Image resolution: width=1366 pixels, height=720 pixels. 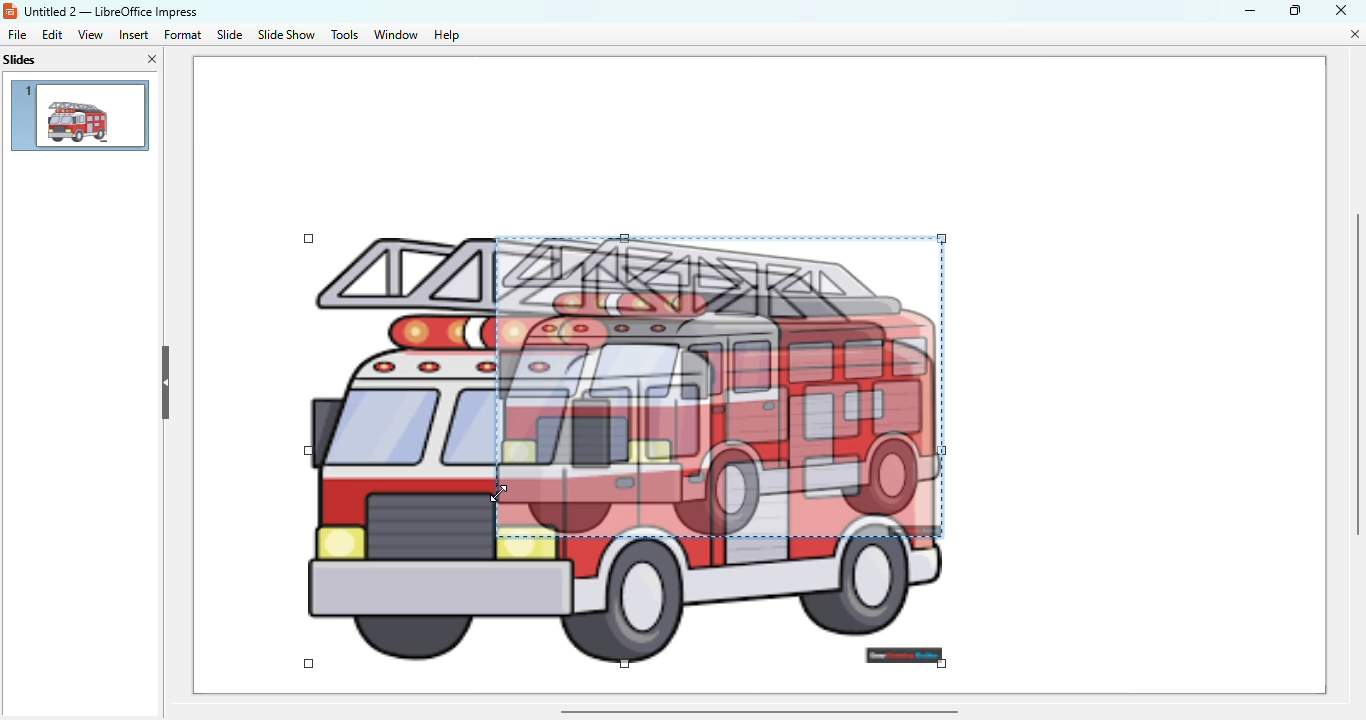 I want to click on corner handles, so click(x=310, y=451).